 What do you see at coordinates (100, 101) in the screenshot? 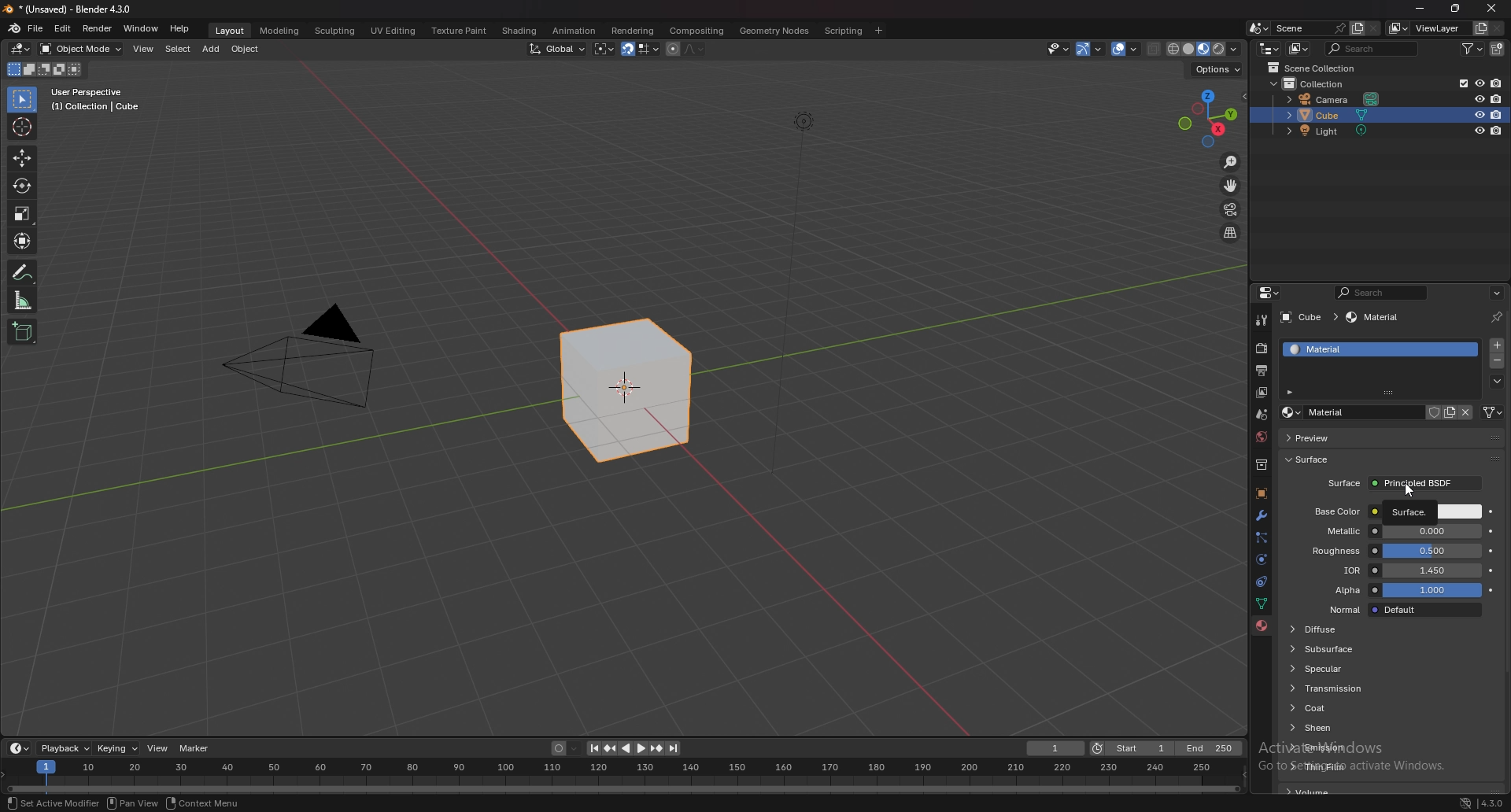
I see `User Perspective
(1) Collection | Cube` at bounding box center [100, 101].